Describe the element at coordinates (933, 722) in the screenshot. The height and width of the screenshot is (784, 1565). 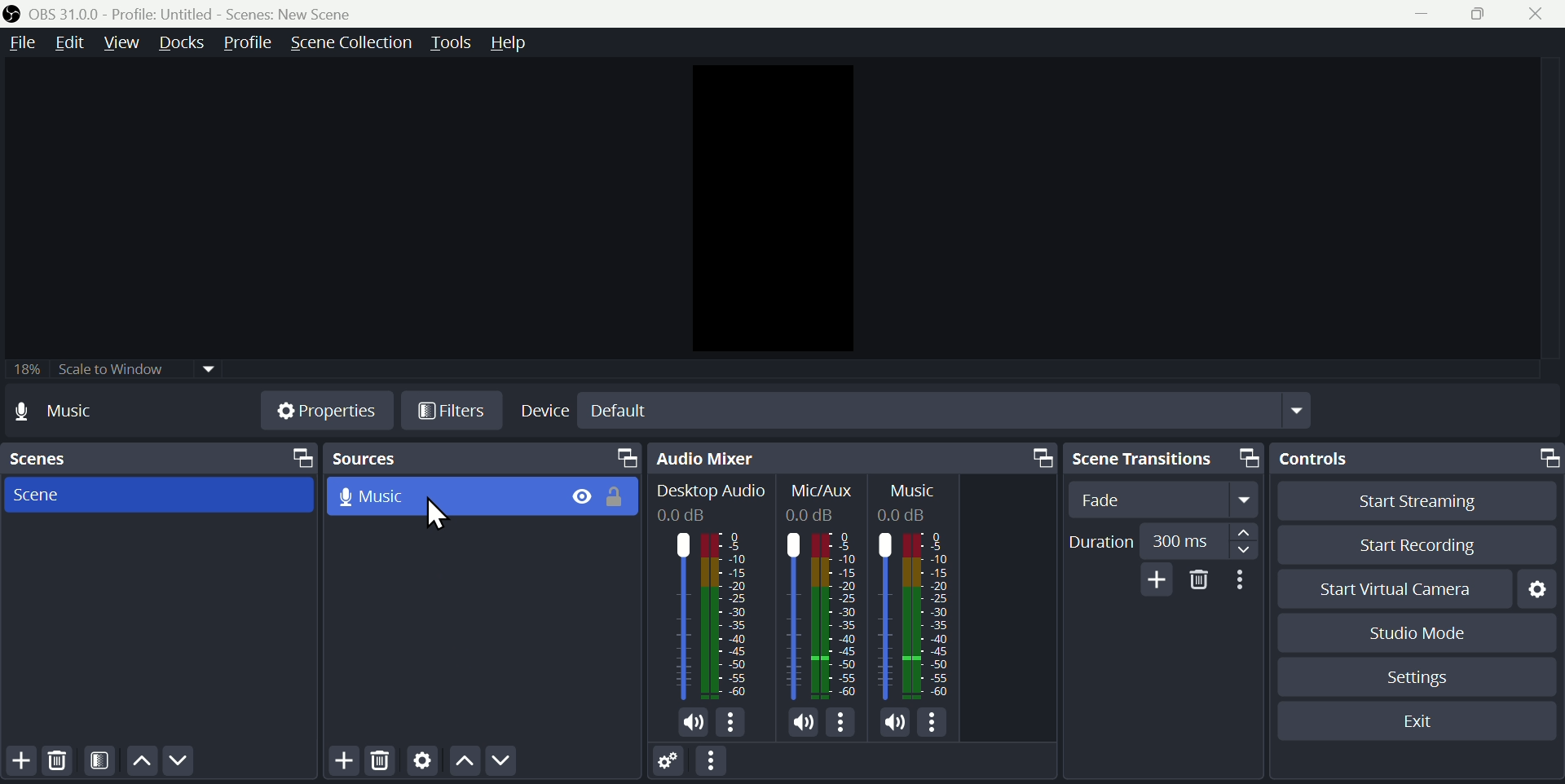
I see `Options` at that location.